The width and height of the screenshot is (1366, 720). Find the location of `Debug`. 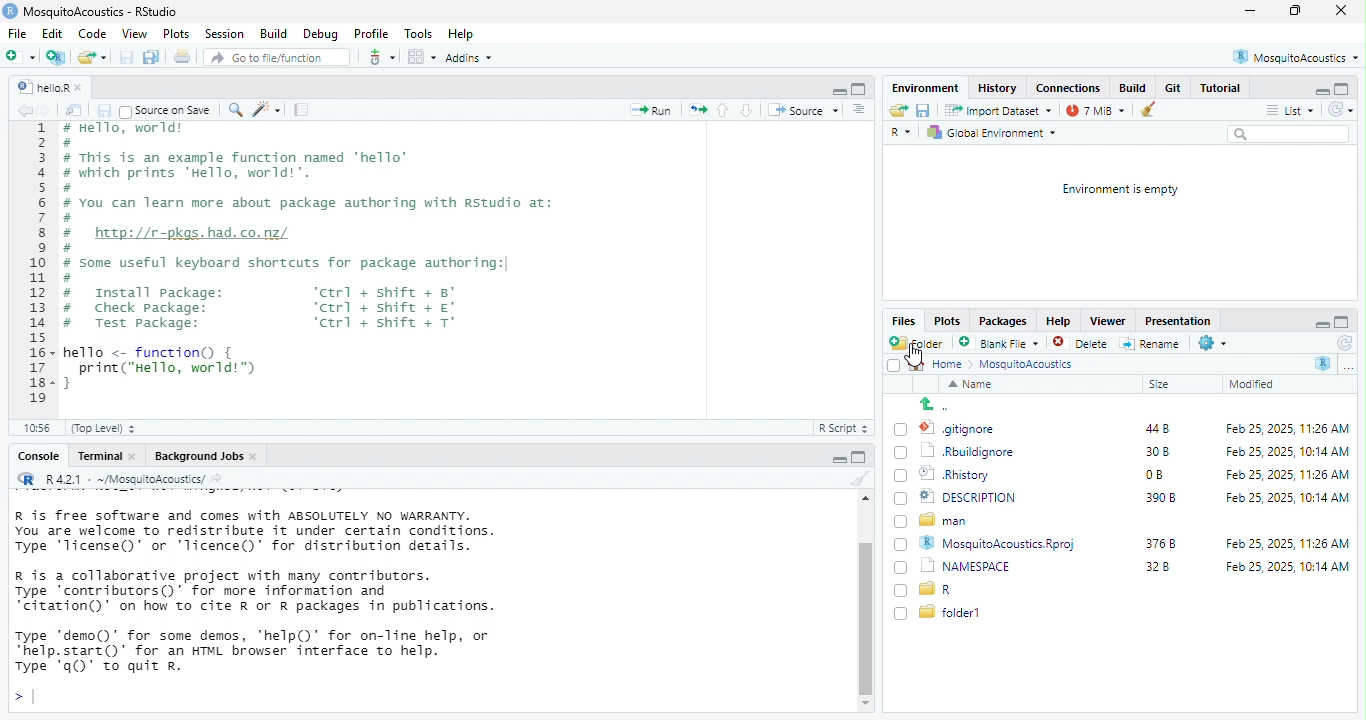

Debug is located at coordinates (321, 33).